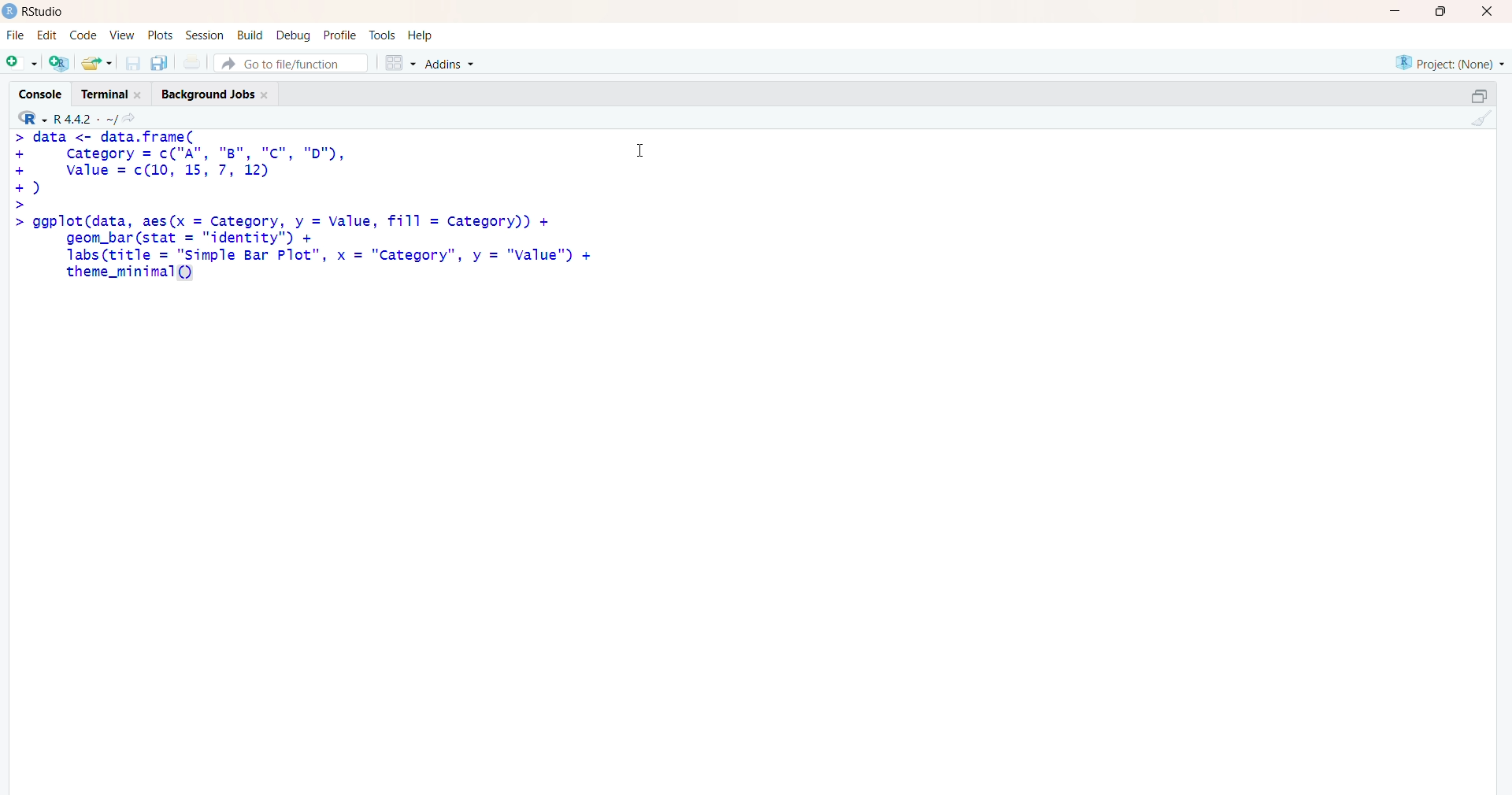  I want to click on # Go to file/function, so click(291, 63).